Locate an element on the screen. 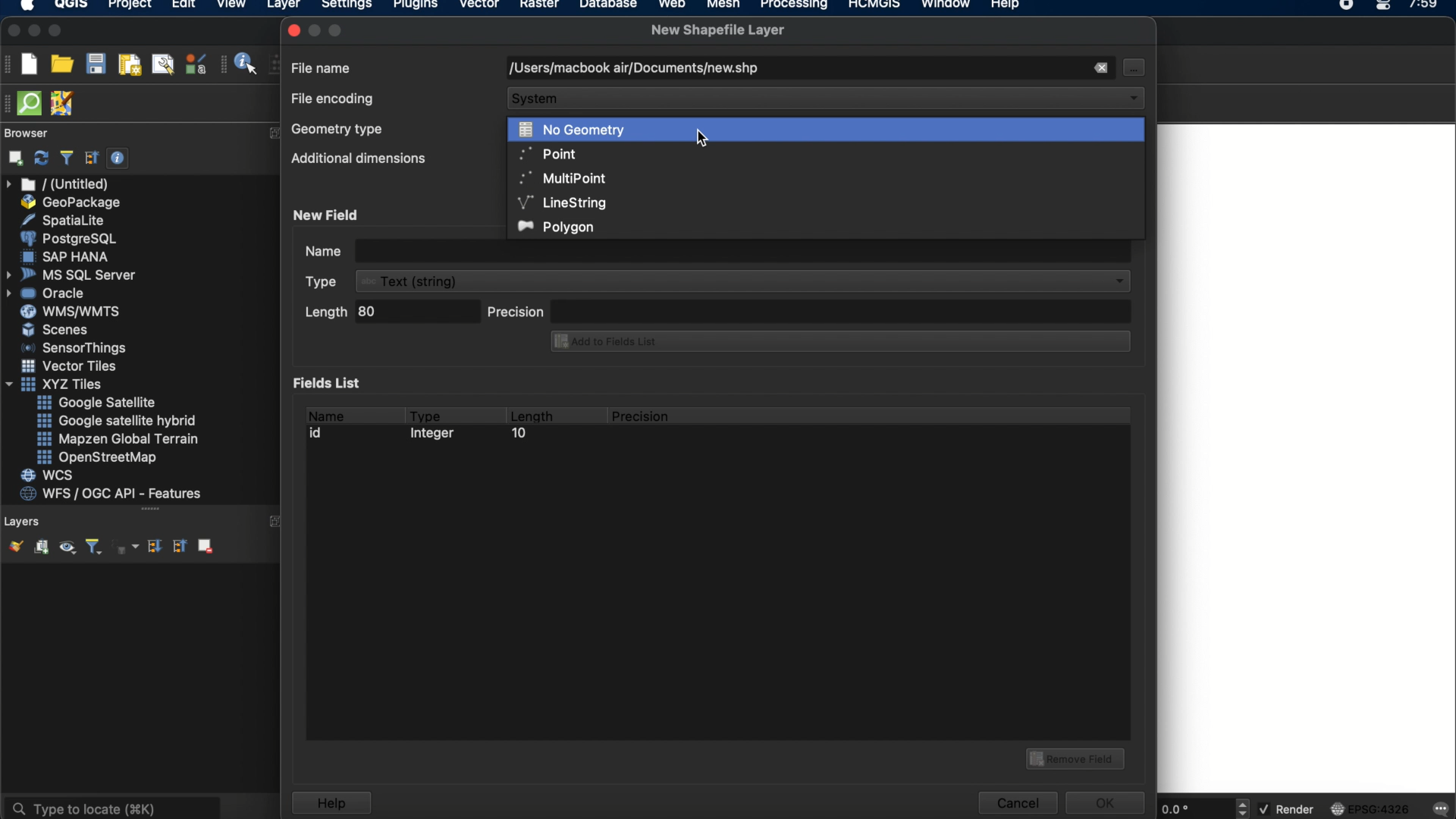 Image resolution: width=1456 pixels, height=819 pixels. workspace is located at coordinates (1307, 459).